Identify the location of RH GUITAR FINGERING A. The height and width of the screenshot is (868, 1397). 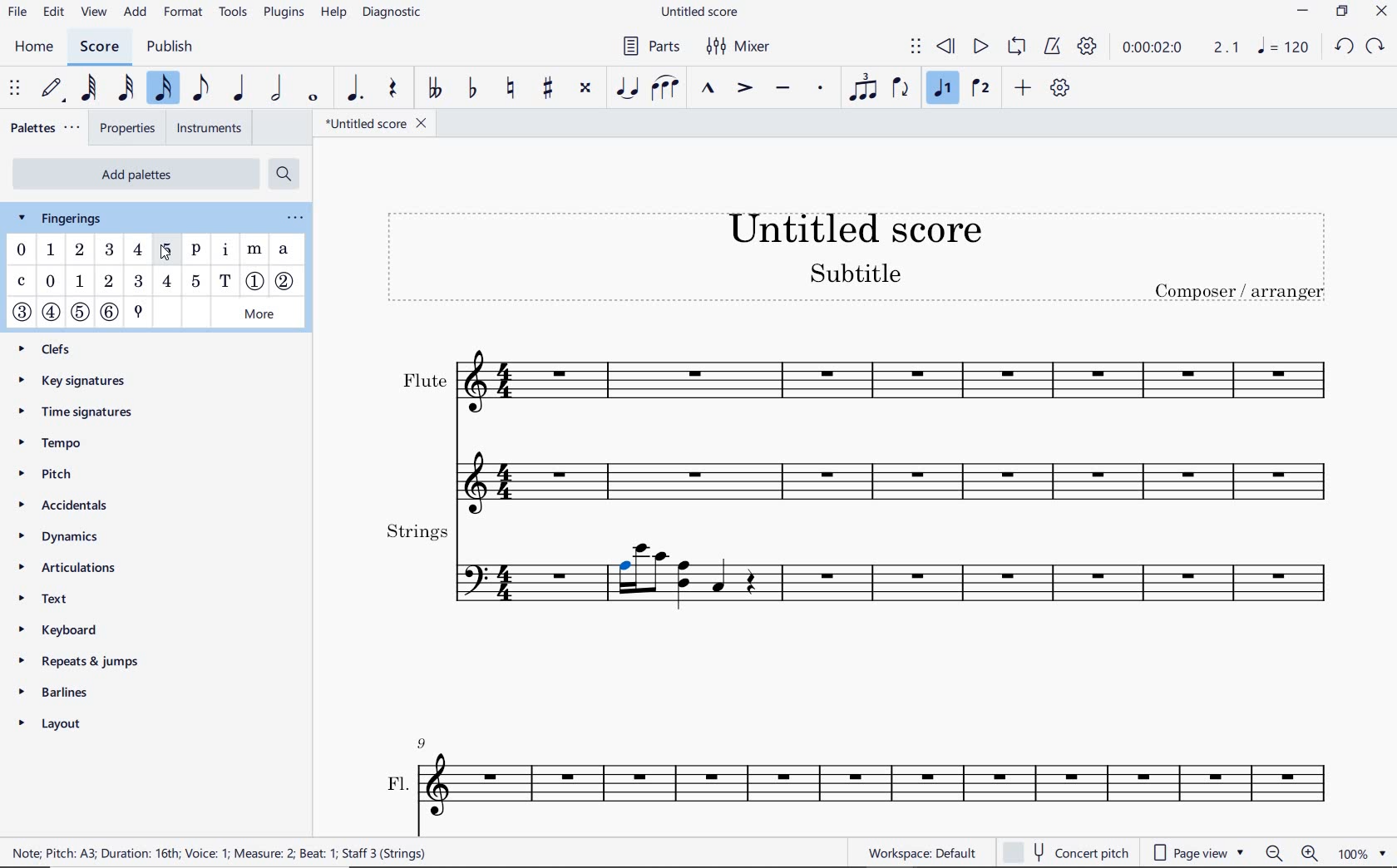
(284, 249).